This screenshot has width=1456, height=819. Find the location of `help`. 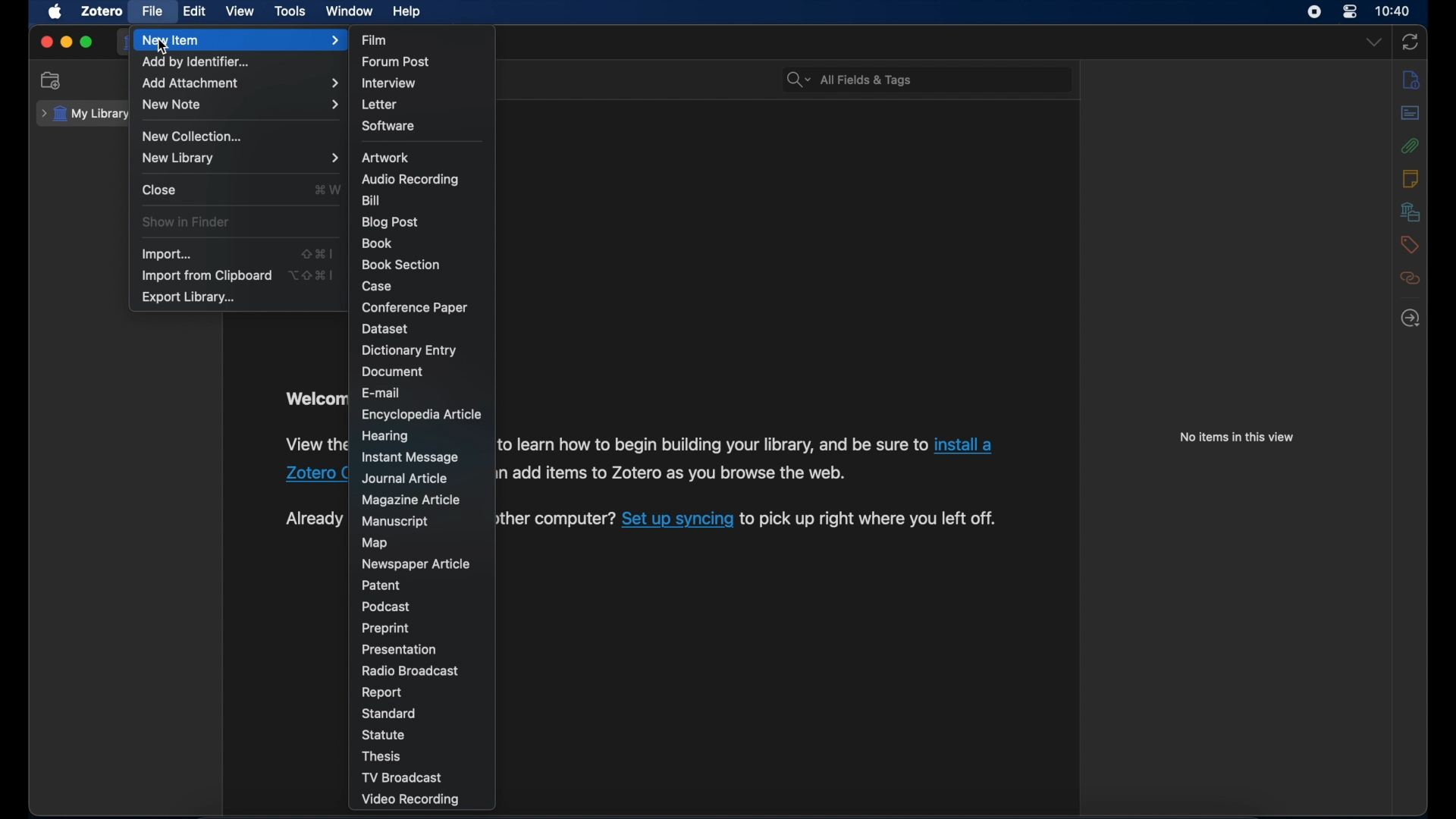

help is located at coordinates (406, 12).